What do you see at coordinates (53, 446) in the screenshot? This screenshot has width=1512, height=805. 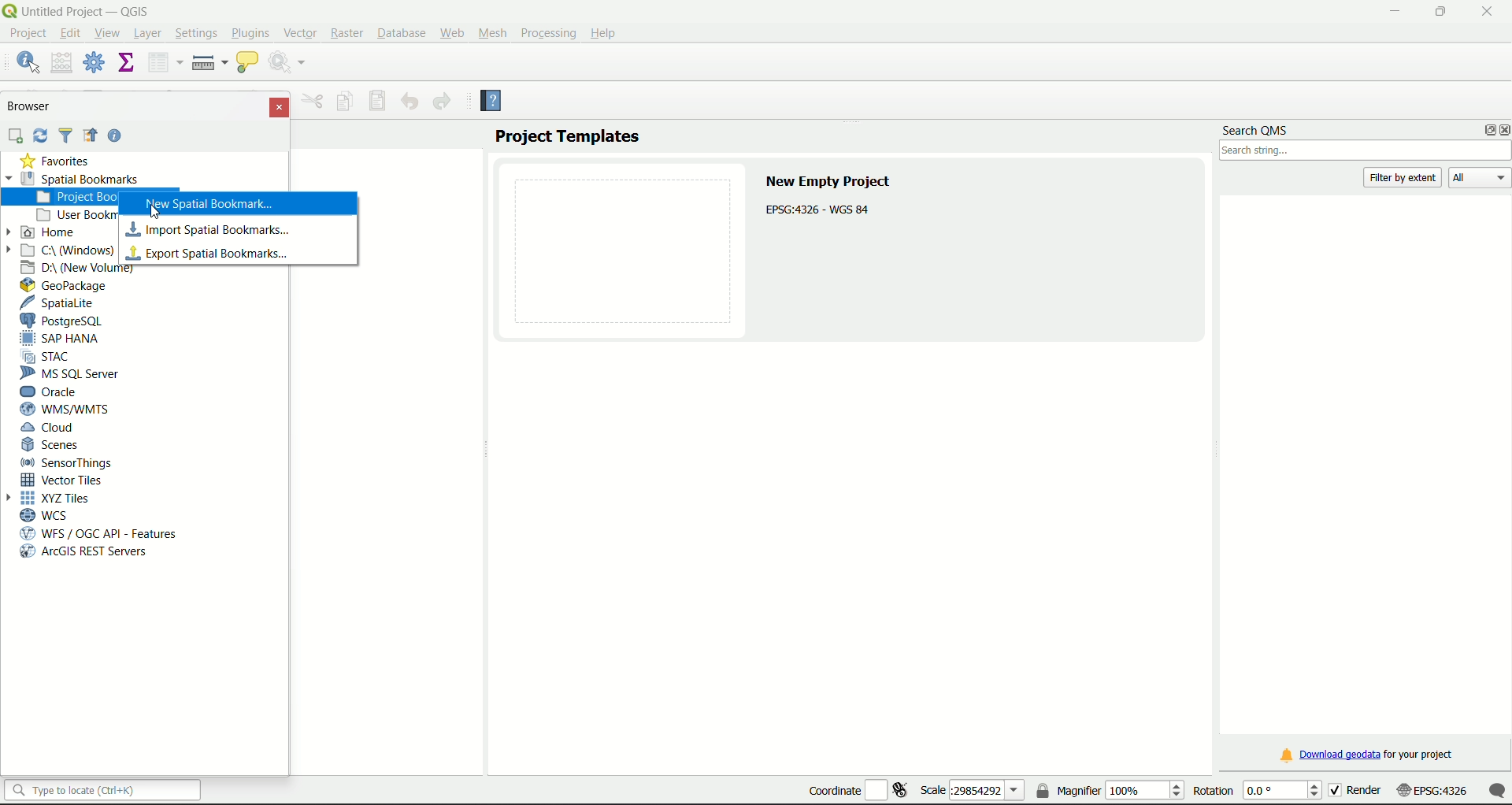 I see `Scenes` at bounding box center [53, 446].